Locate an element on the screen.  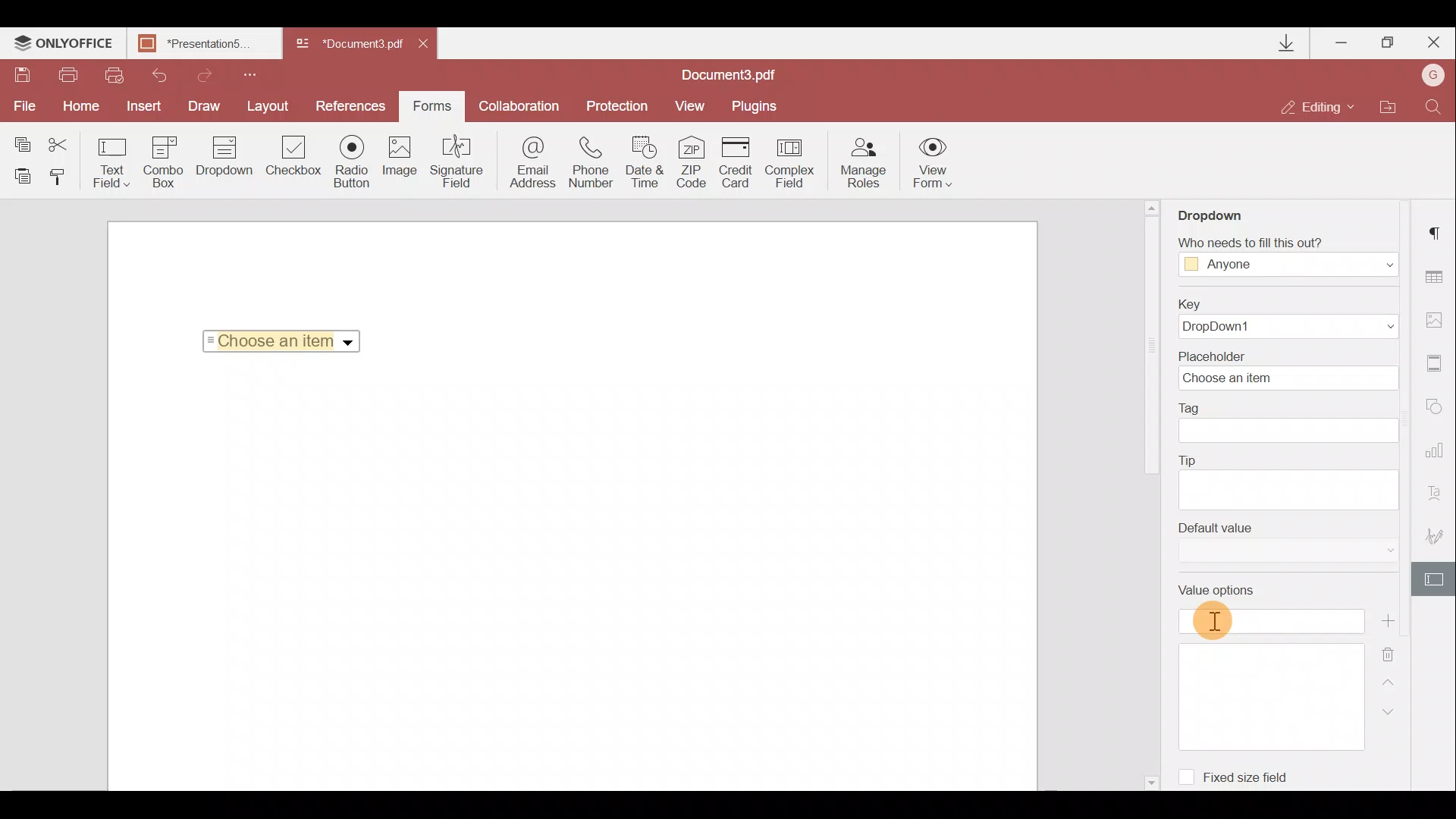
Draw is located at coordinates (205, 105).